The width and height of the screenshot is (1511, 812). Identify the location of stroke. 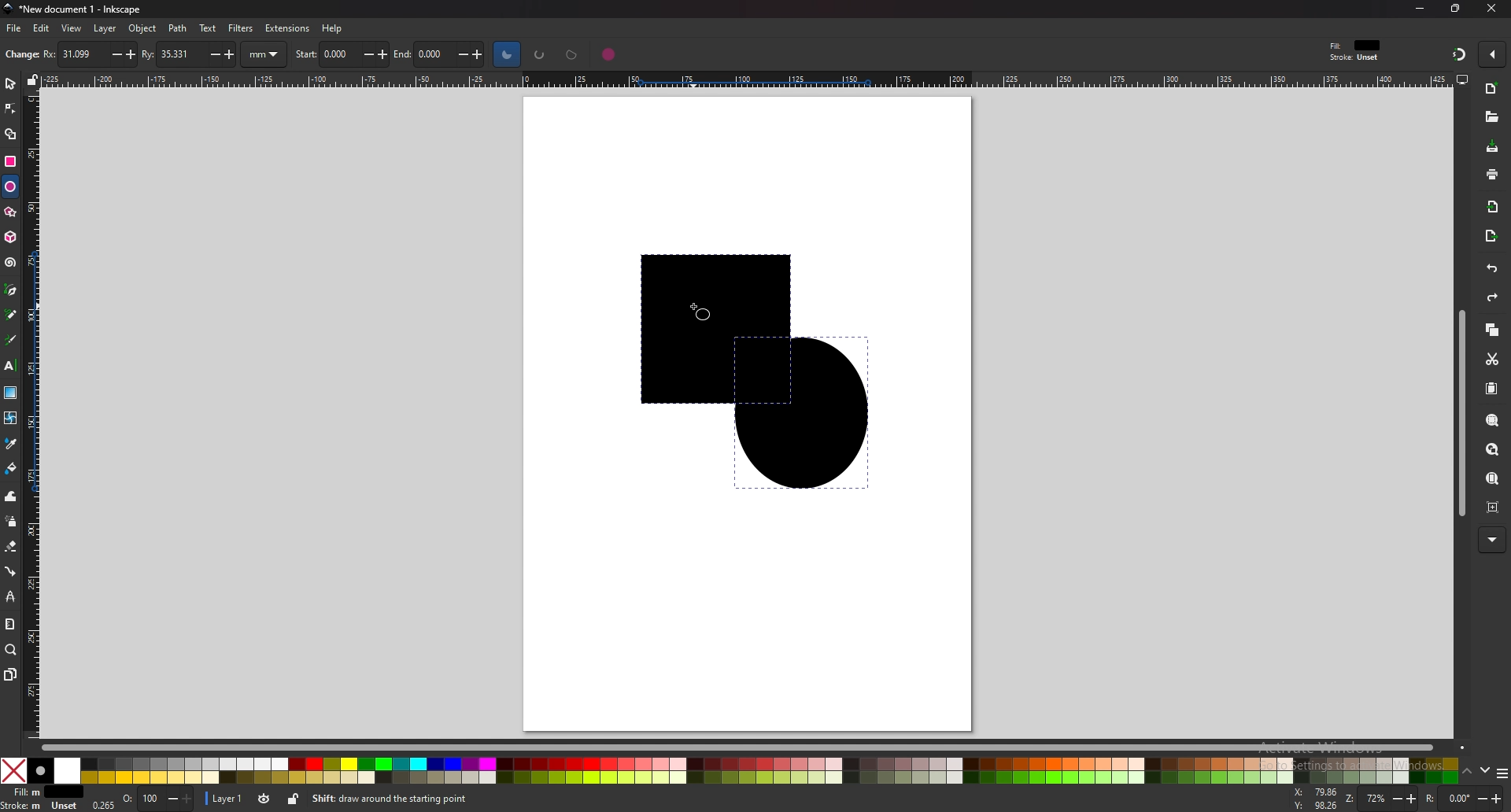
(42, 806).